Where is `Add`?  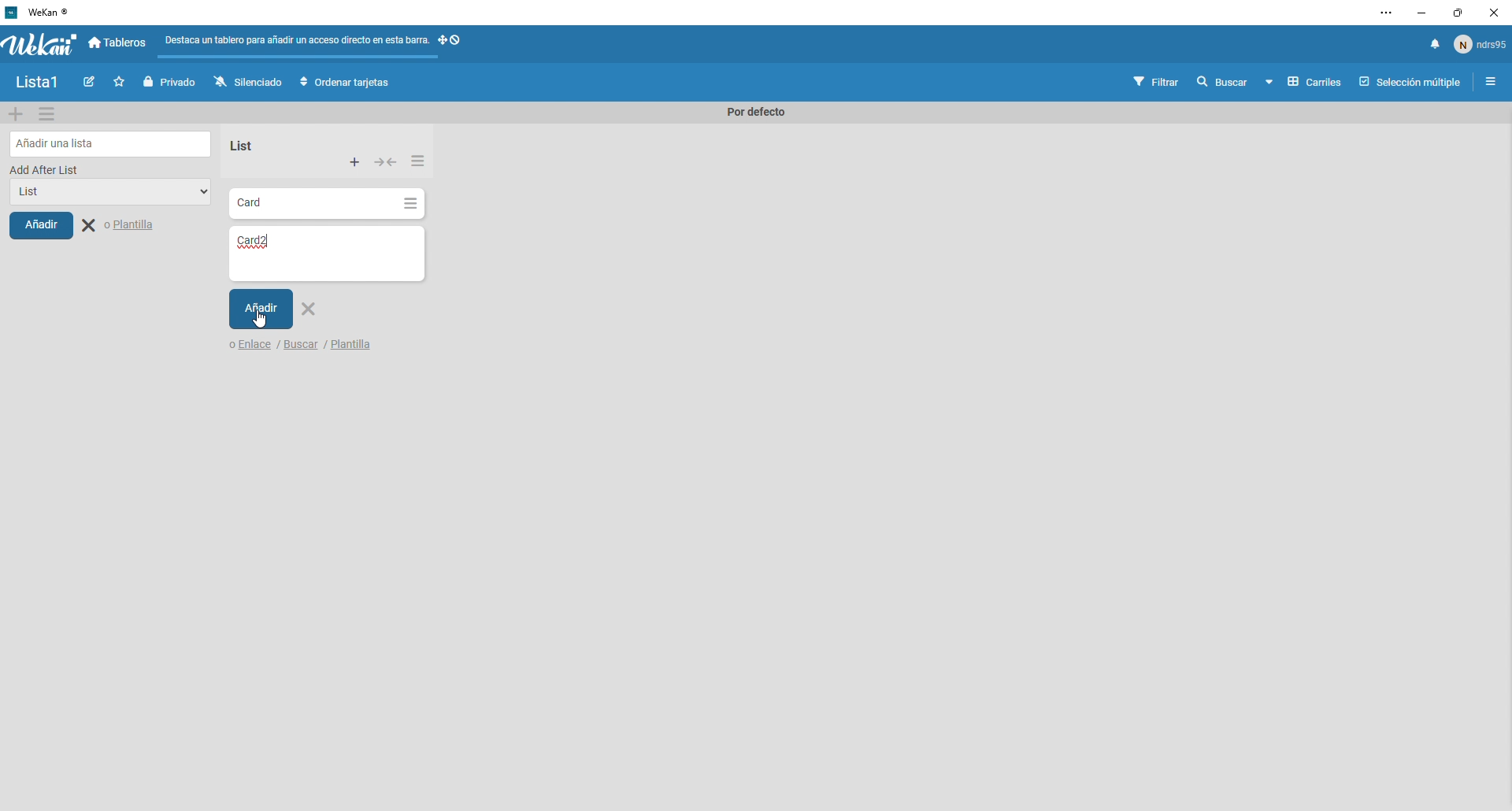
Add is located at coordinates (41, 224).